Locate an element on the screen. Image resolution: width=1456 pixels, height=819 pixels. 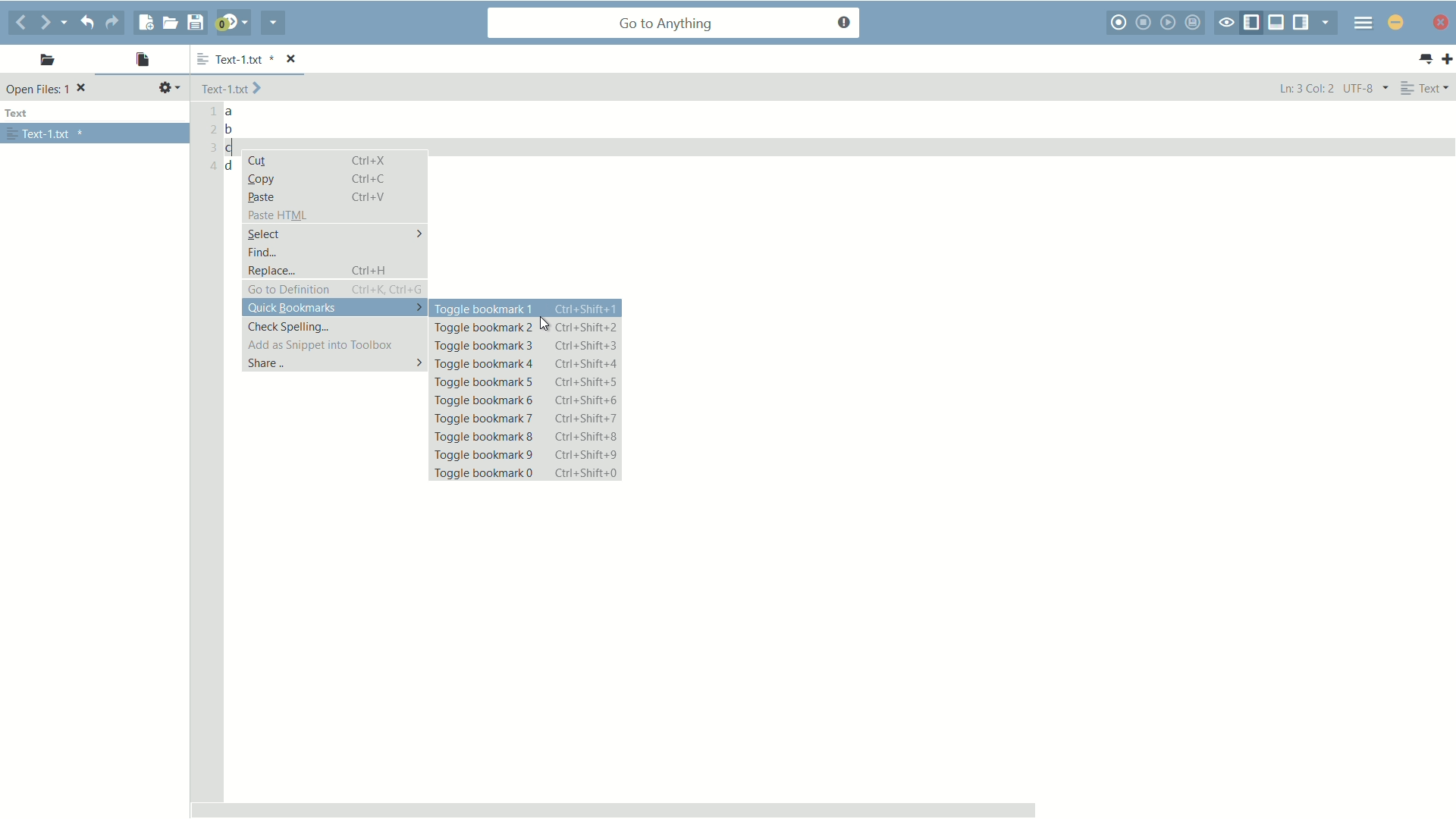
go to bookmark 1 is located at coordinates (526, 493).